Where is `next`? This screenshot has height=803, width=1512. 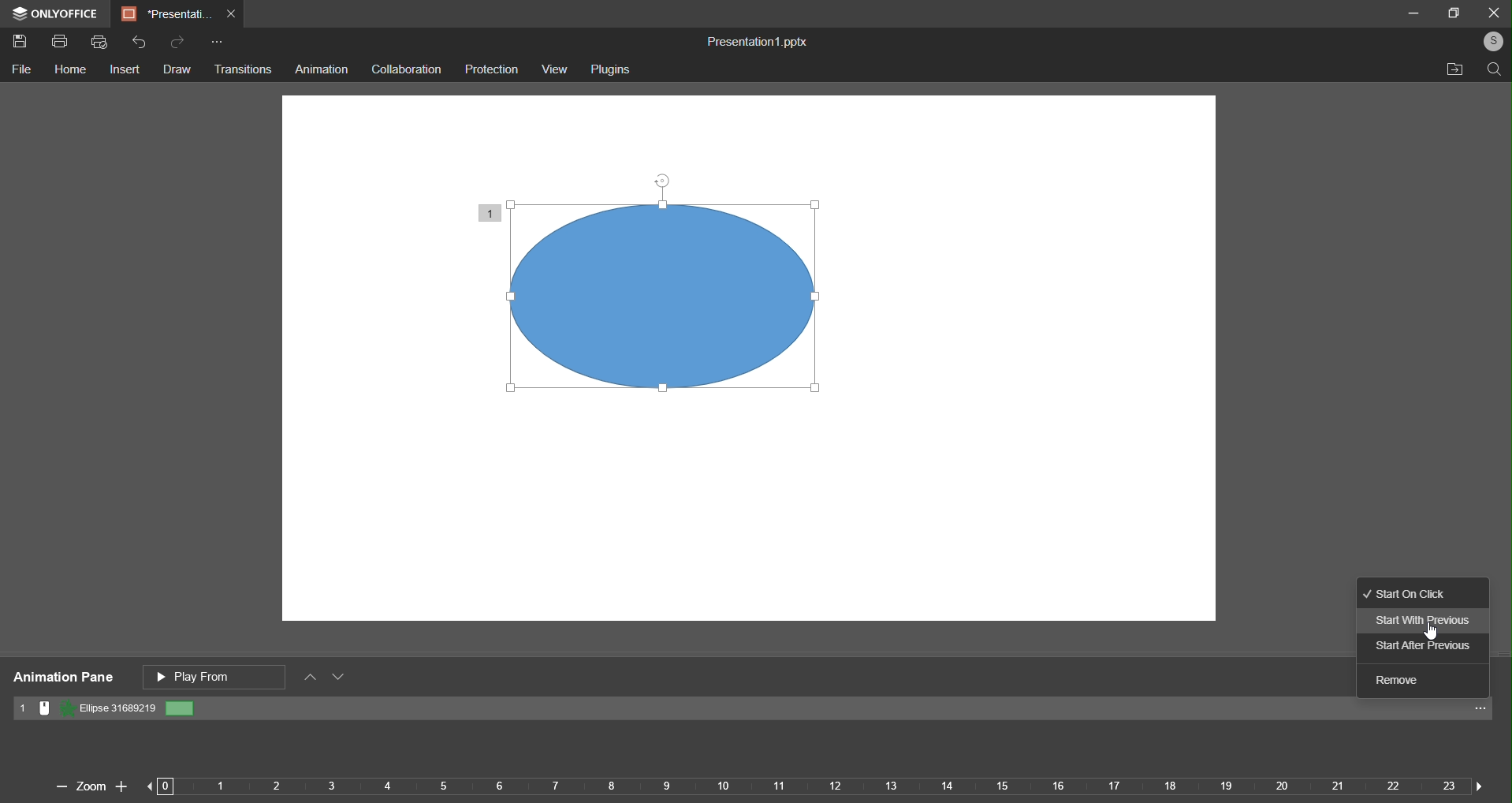
next is located at coordinates (1475, 784).